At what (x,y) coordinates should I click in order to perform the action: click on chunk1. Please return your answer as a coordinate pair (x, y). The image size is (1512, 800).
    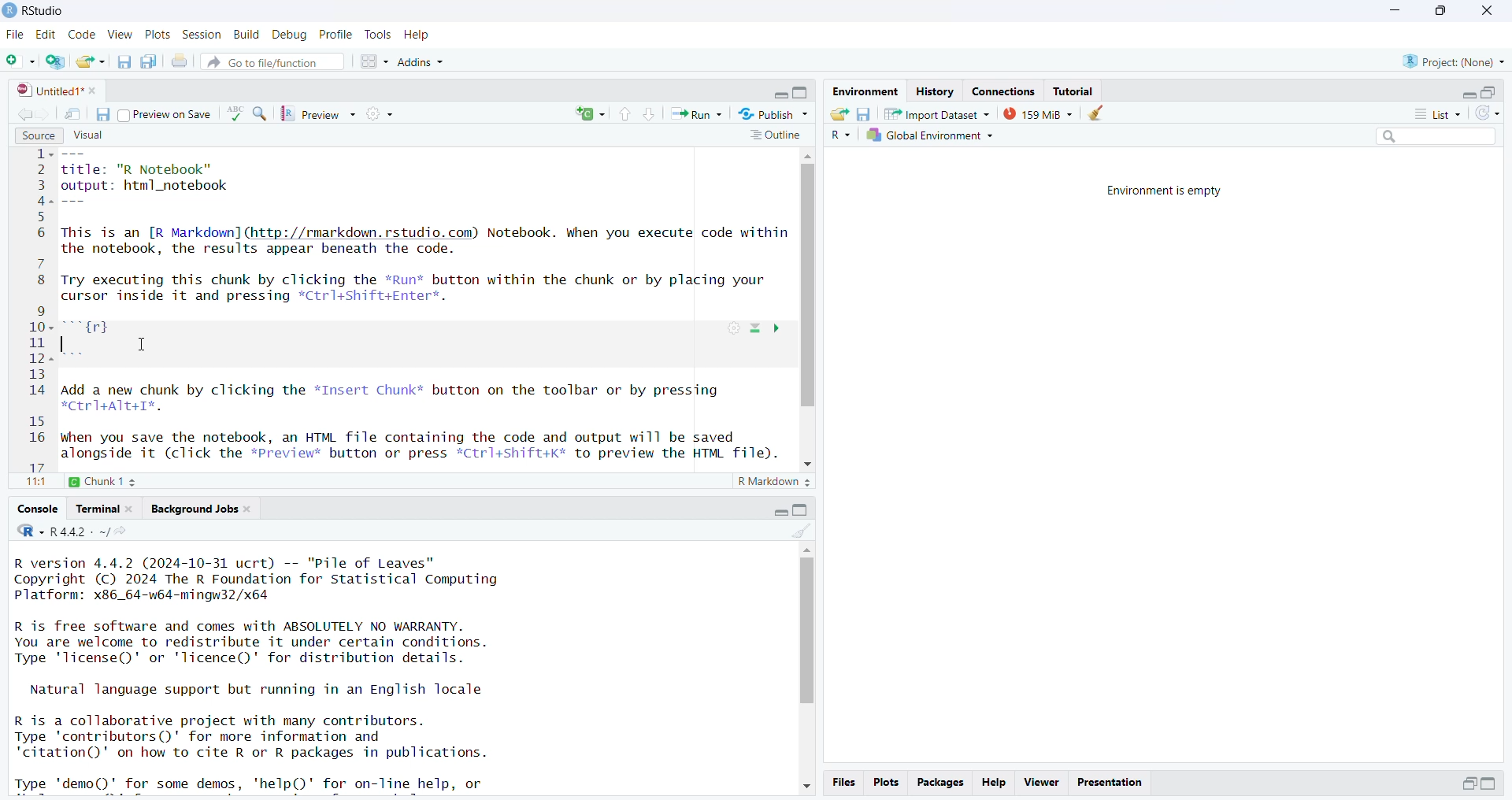
    Looking at the image, I should click on (112, 480).